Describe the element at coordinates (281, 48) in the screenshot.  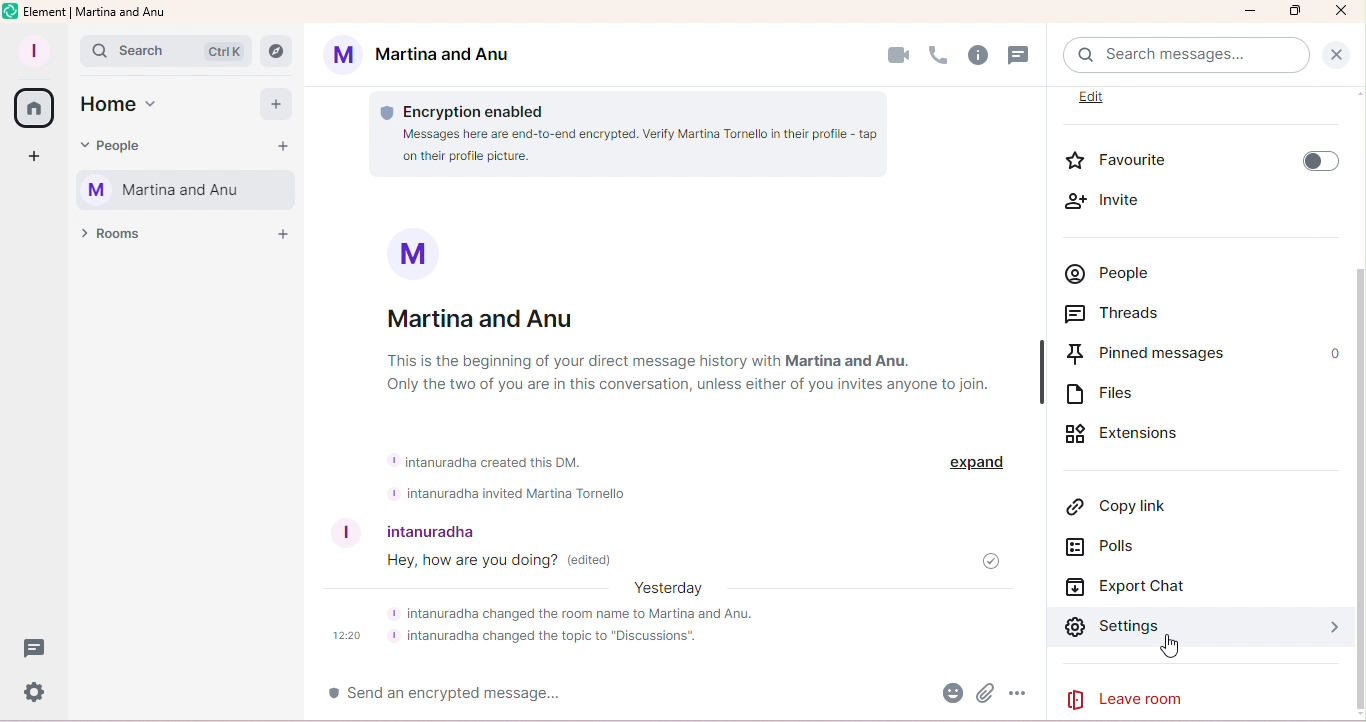
I see `Explore rooms` at that location.